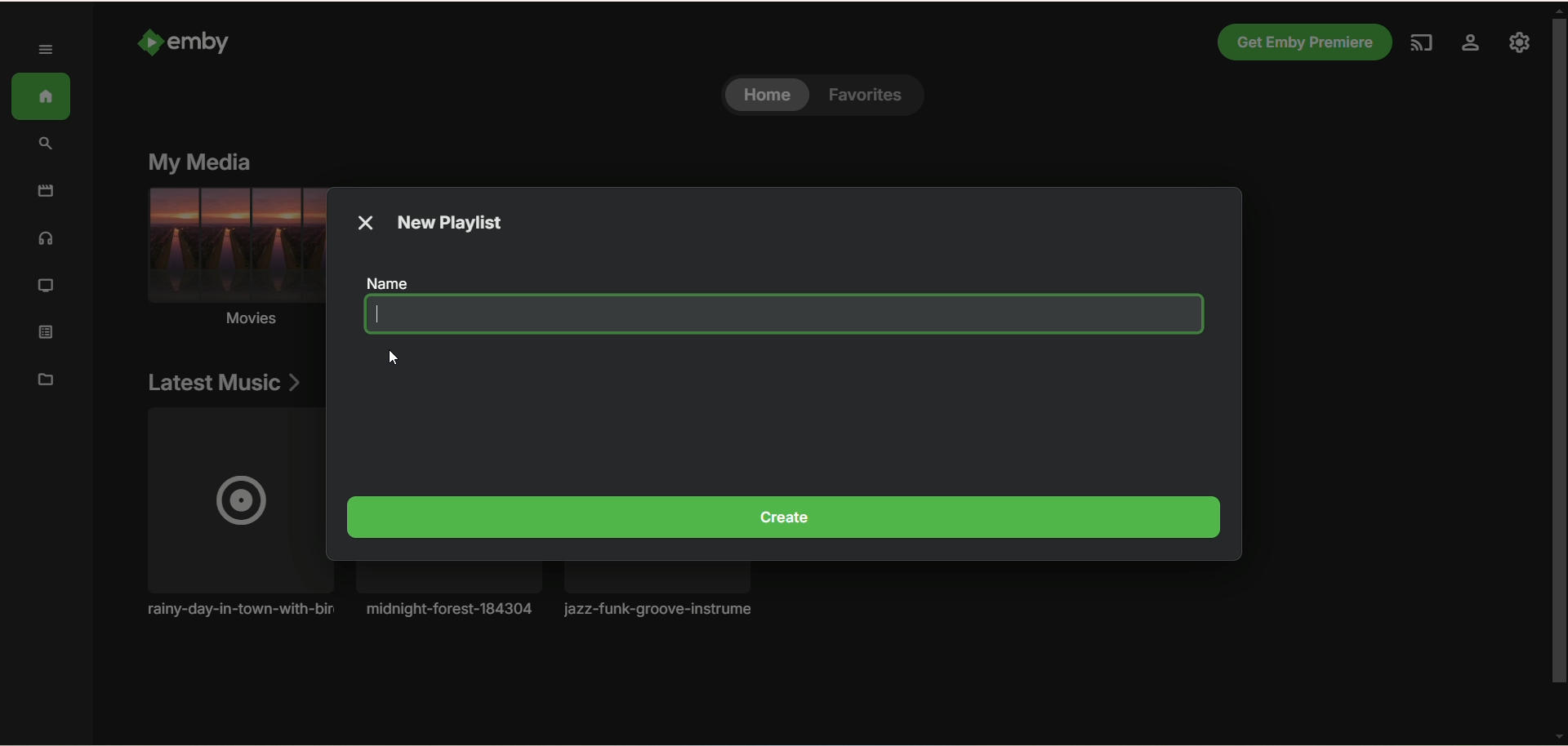  Describe the element at coordinates (659, 592) in the screenshot. I see `music album` at that location.